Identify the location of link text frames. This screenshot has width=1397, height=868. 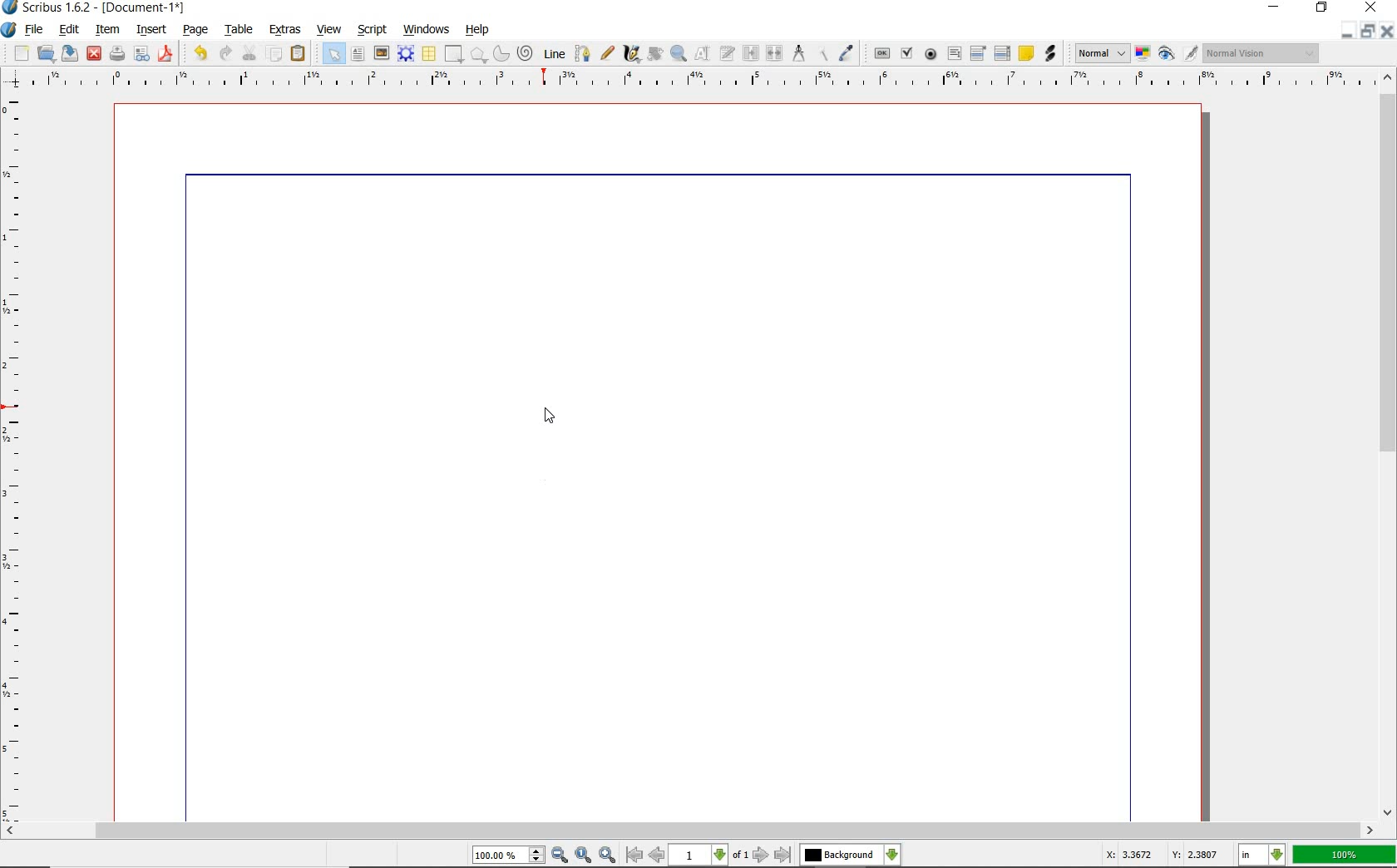
(753, 52).